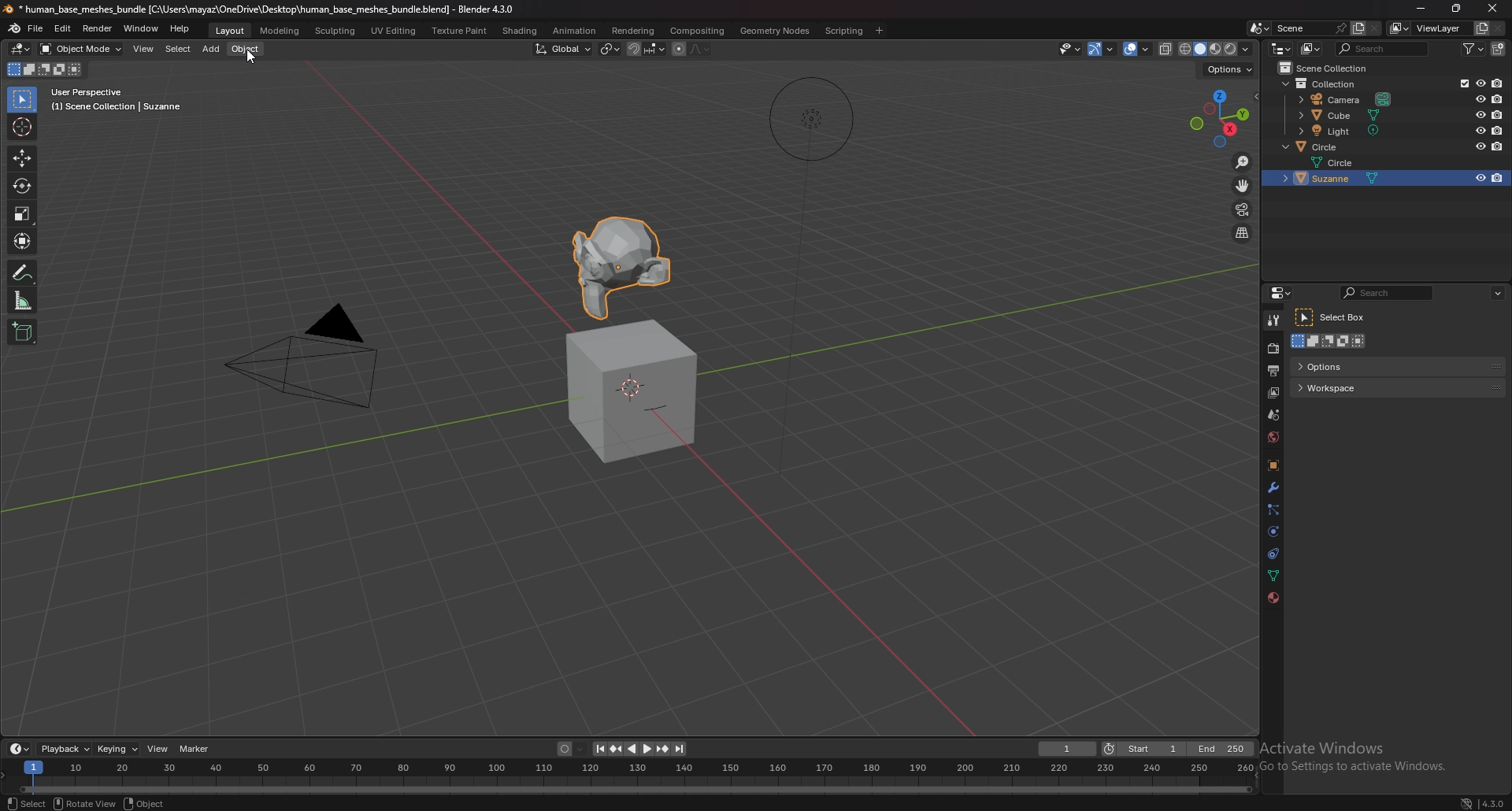  What do you see at coordinates (142, 28) in the screenshot?
I see `window` at bounding box center [142, 28].